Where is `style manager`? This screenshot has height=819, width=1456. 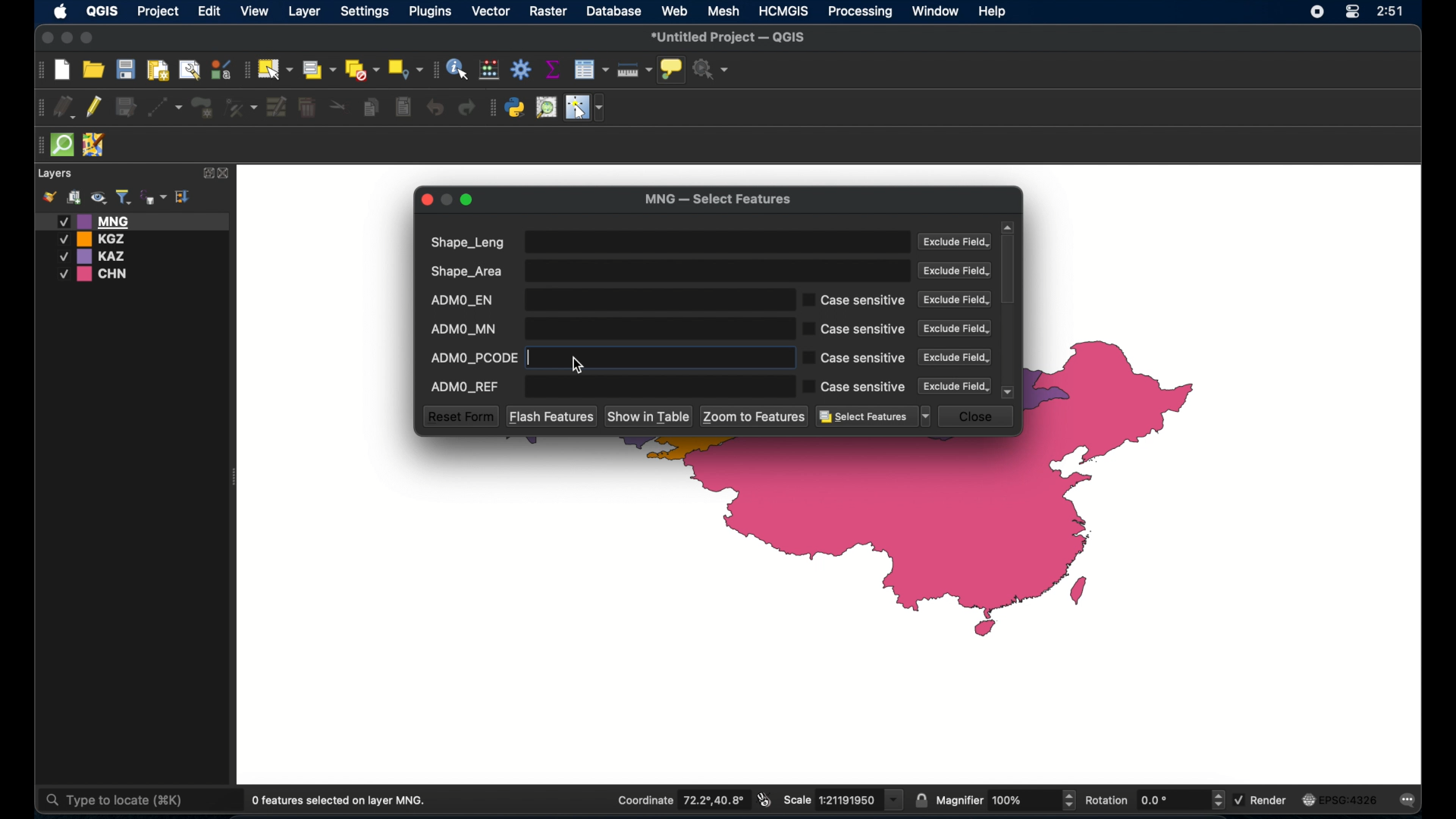
style manager is located at coordinates (221, 67).